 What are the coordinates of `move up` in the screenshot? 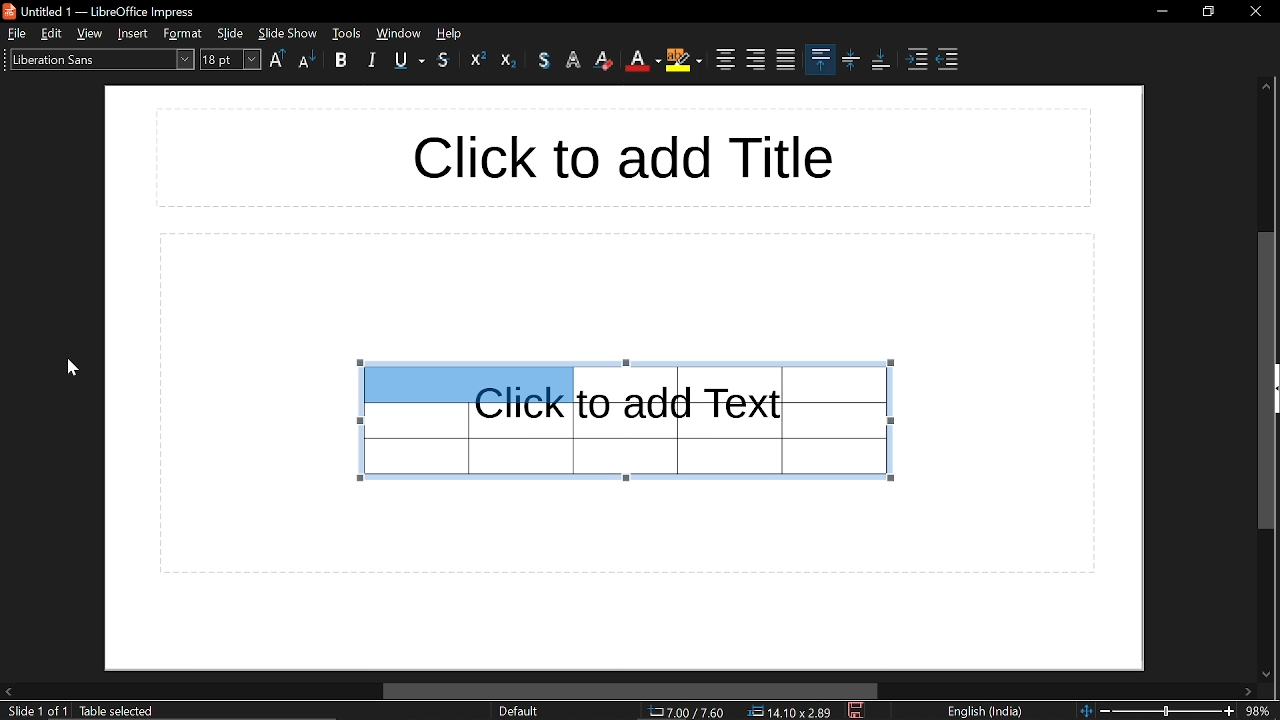 It's located at (1266, 89).